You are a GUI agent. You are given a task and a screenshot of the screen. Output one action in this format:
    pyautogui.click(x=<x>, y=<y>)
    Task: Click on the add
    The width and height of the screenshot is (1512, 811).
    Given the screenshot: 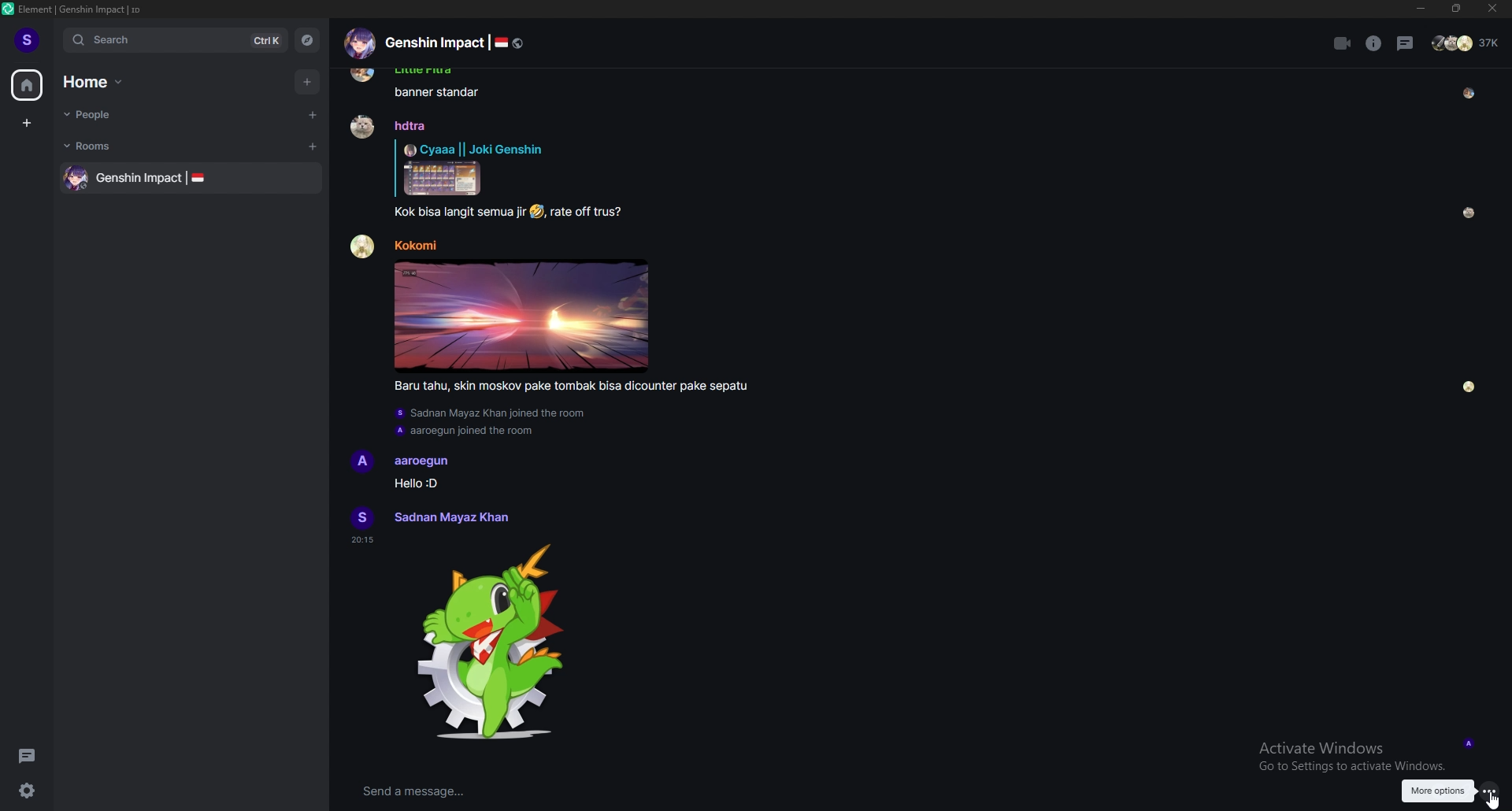 What is the action you would take?
    pyautogui.click(x=309, y=82)
    